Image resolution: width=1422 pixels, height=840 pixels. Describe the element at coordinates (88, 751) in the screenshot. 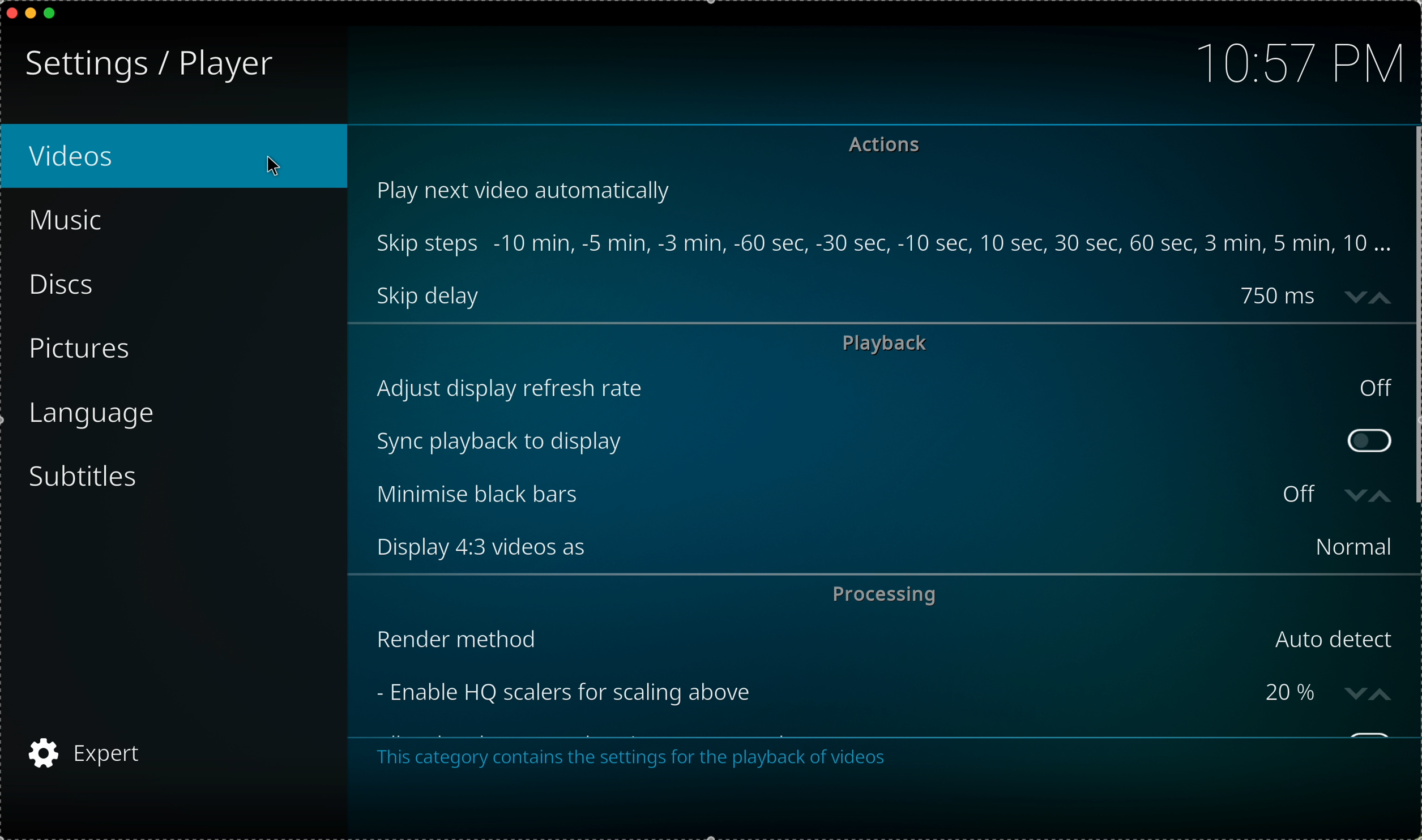

I see `expert settings` at that location.